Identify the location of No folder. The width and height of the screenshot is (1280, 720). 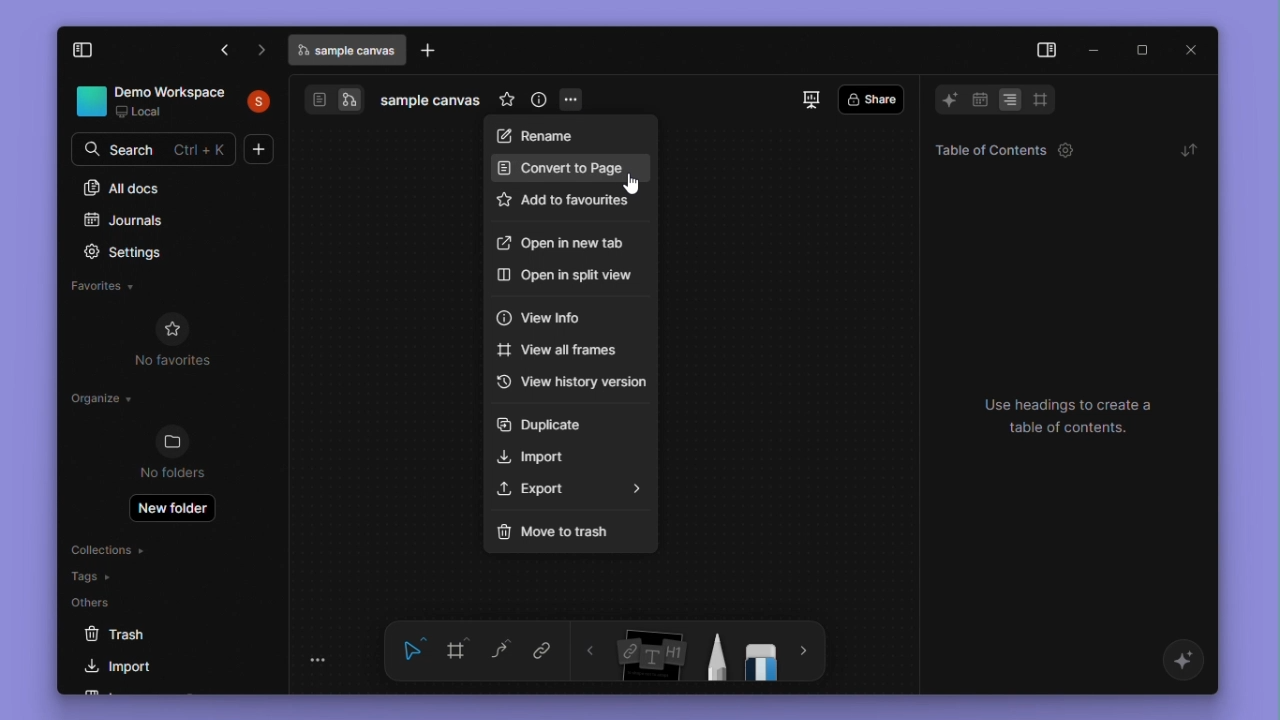
(174, 454).